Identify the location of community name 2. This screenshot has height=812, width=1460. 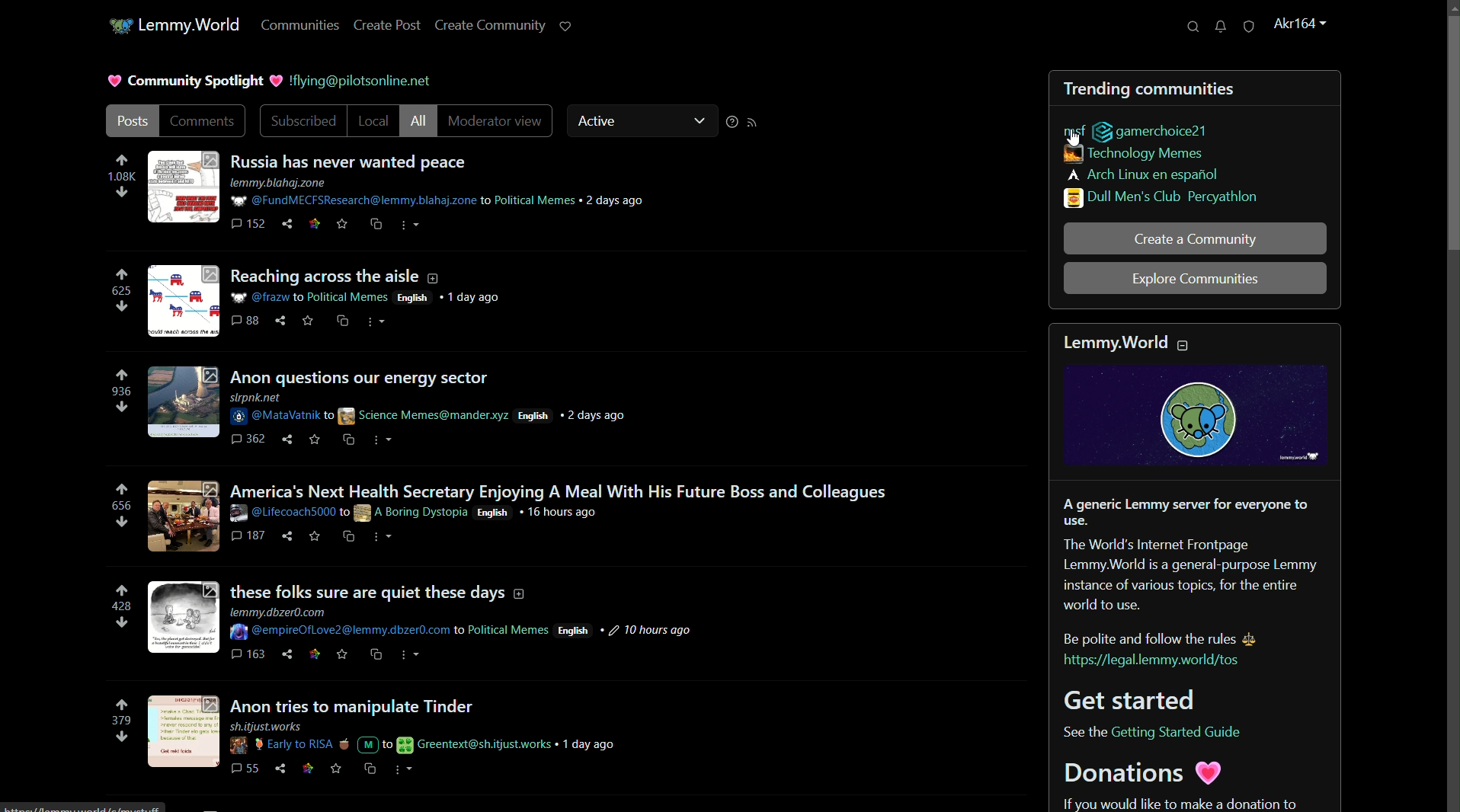
(1135, 156).